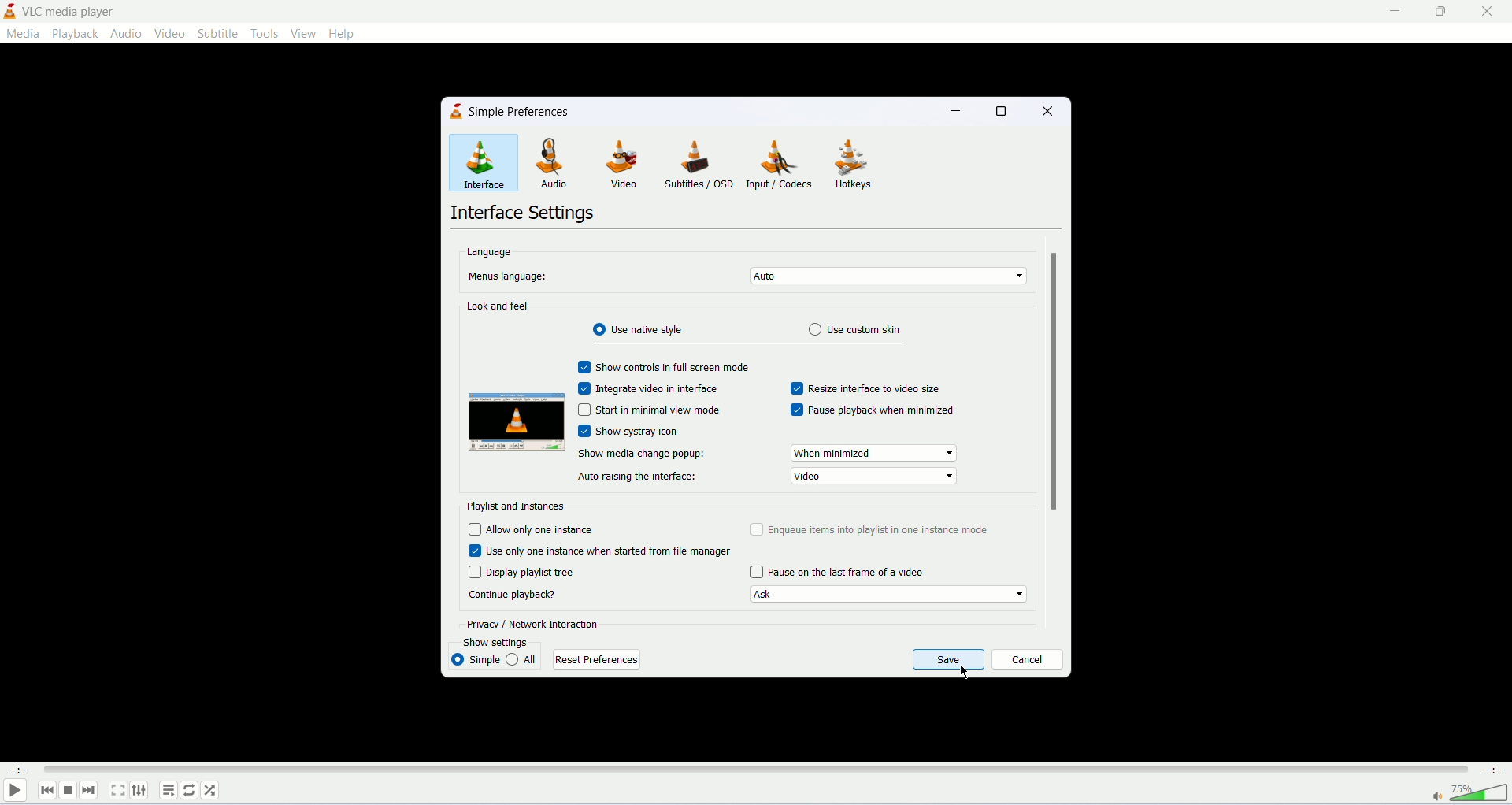  Describe the element at coordinates (537, 572) in the screenshot. I see `display playlist tree` at that location.